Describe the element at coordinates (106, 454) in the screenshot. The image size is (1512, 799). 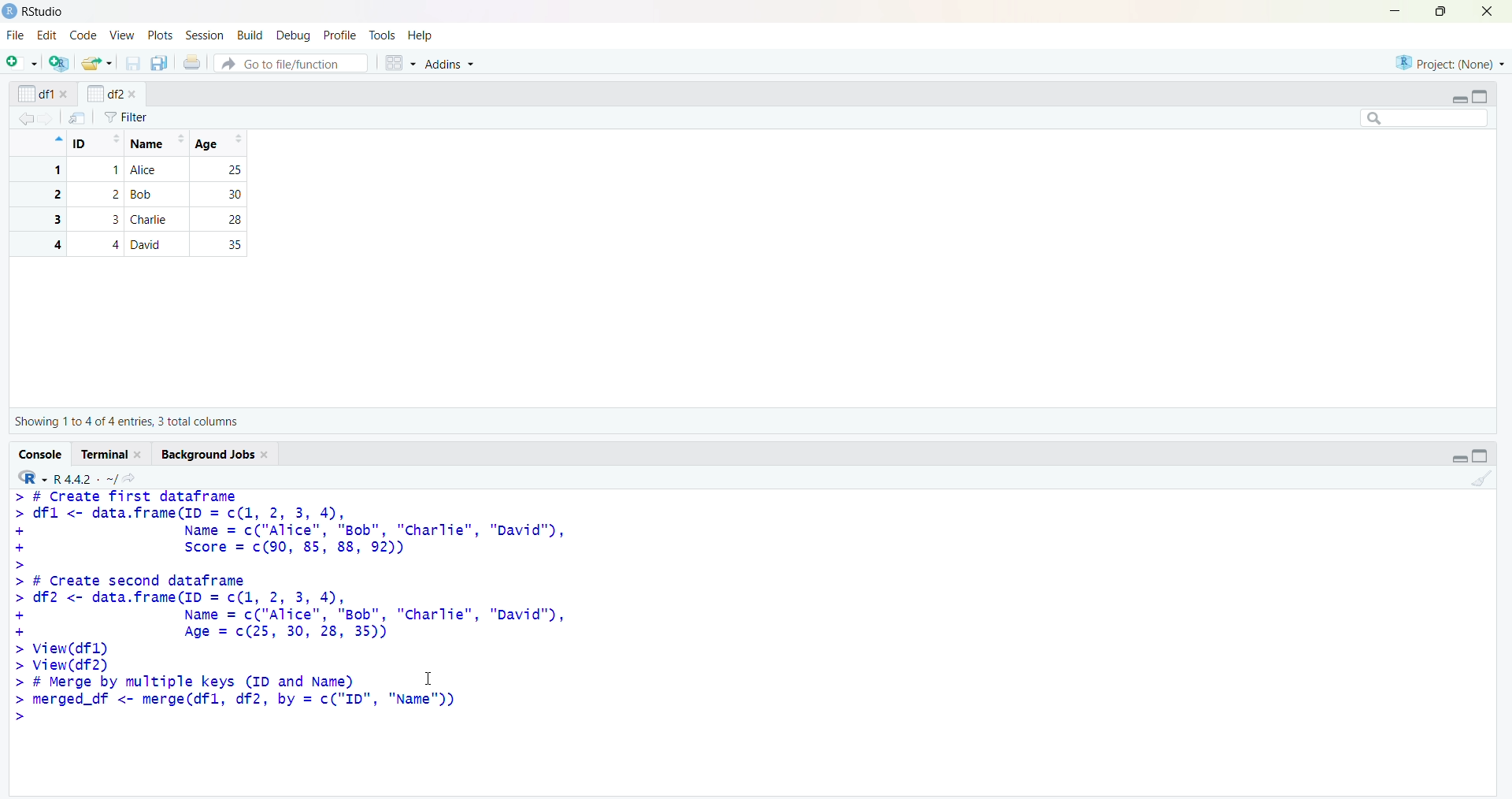
I see `Terminal` at that location.